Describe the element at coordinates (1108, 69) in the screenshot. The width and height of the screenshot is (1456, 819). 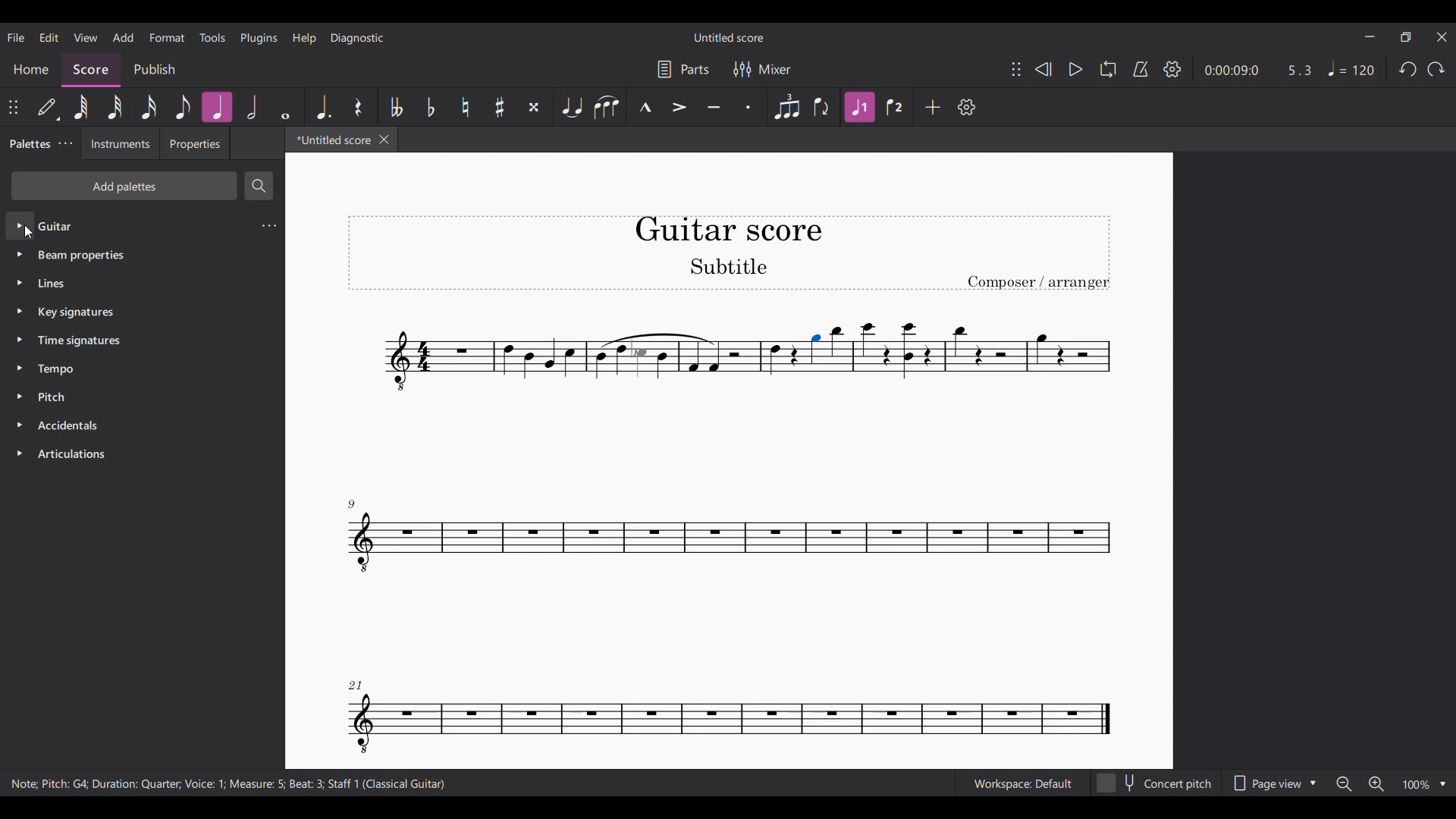
I see `Loop playback` at that location.